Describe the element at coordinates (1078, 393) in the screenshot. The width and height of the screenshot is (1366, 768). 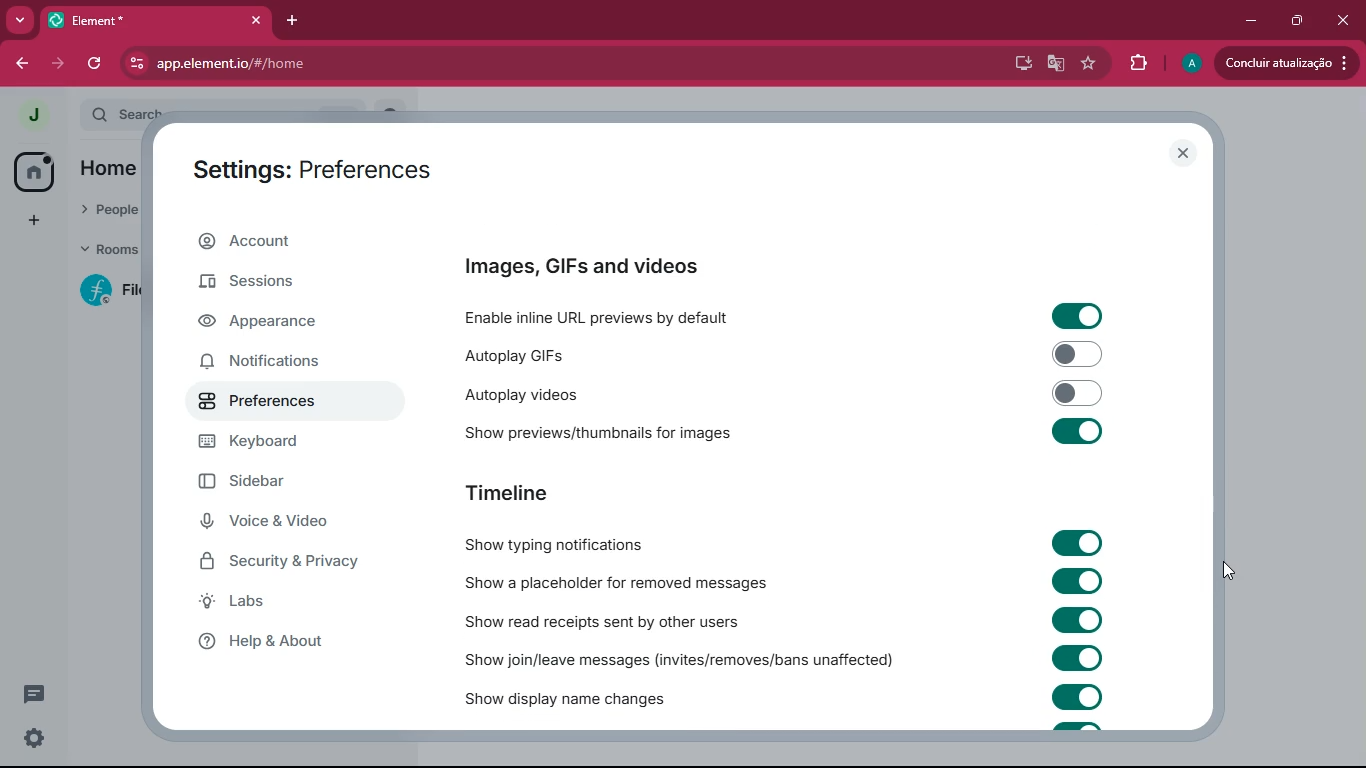
I see `toggle on/off` at that location.